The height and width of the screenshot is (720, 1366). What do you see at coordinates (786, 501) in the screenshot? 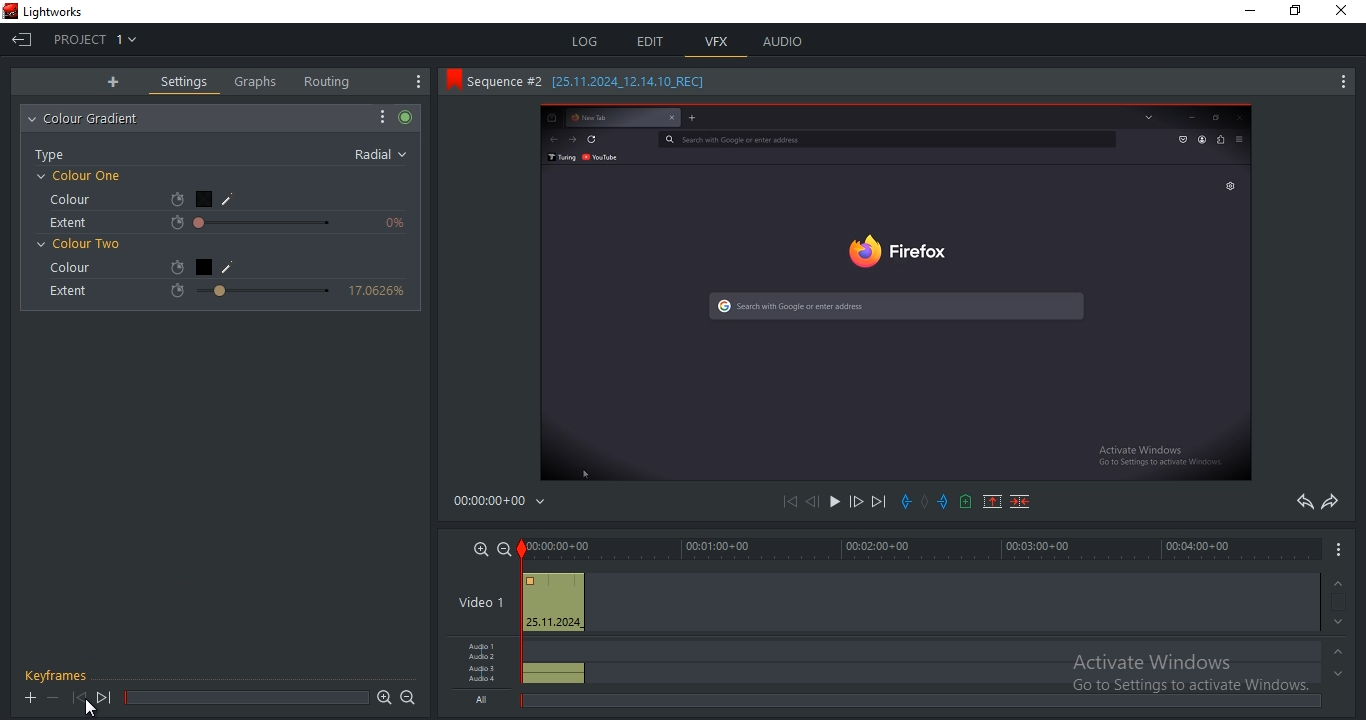
I see `move backward` at bounding box center [786, 501].